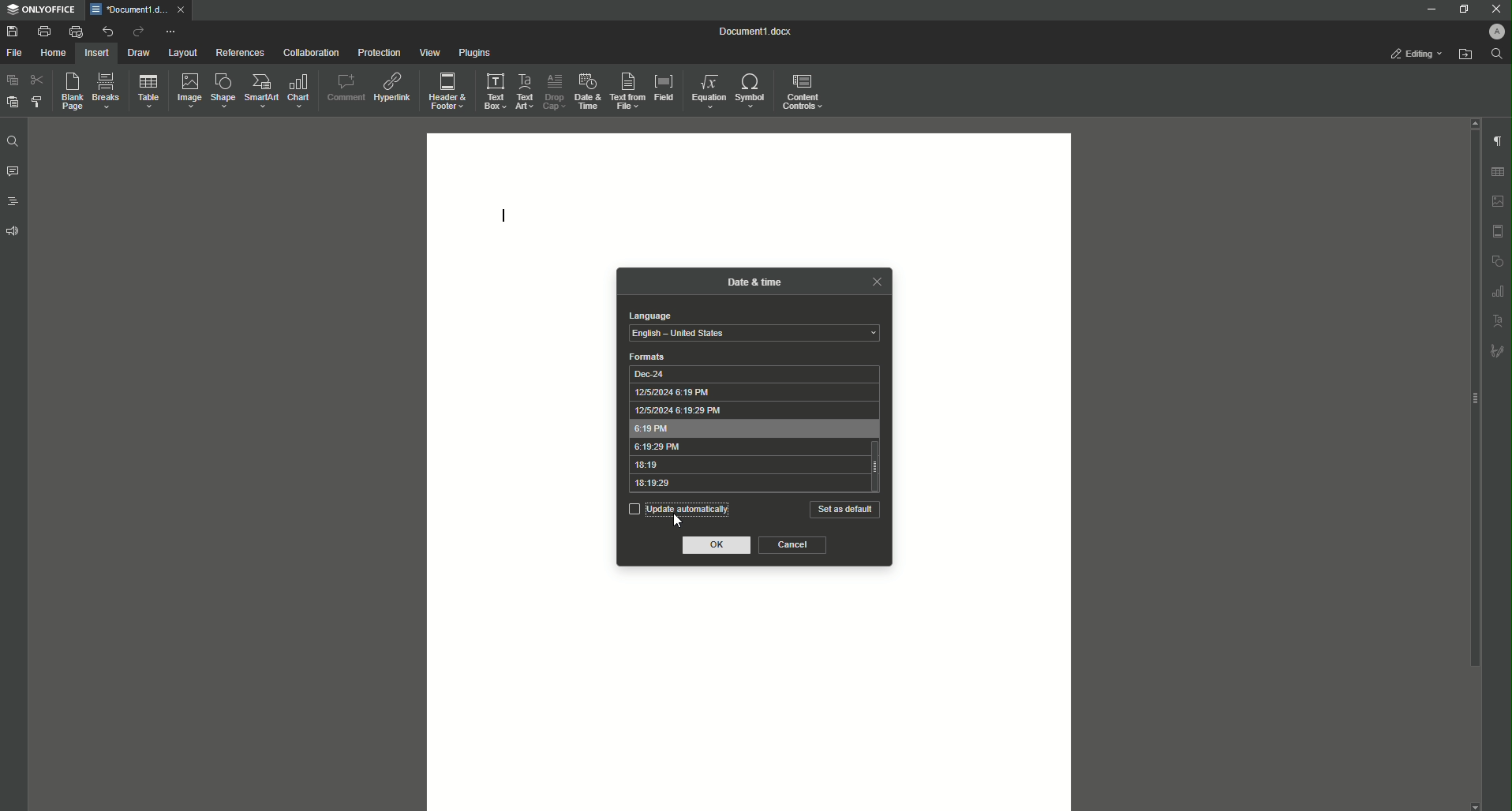  I want to click on Date and Time, so click(586, 90).